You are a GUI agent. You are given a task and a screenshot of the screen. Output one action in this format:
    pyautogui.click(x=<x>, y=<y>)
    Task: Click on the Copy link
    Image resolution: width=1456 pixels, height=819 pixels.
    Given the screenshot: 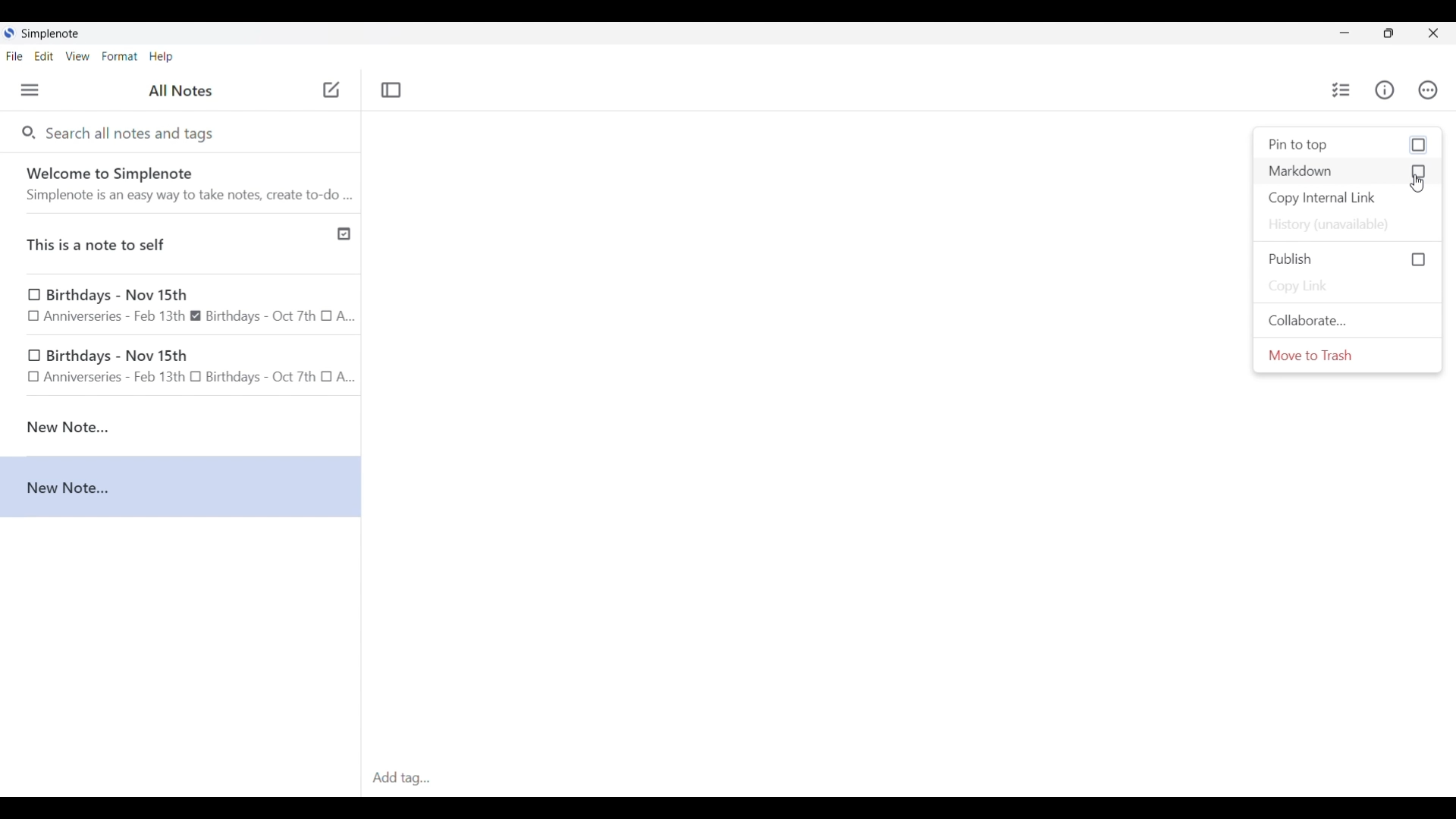 What is the action you would take?
    pyautogui.click(x=1348, y=287)
    